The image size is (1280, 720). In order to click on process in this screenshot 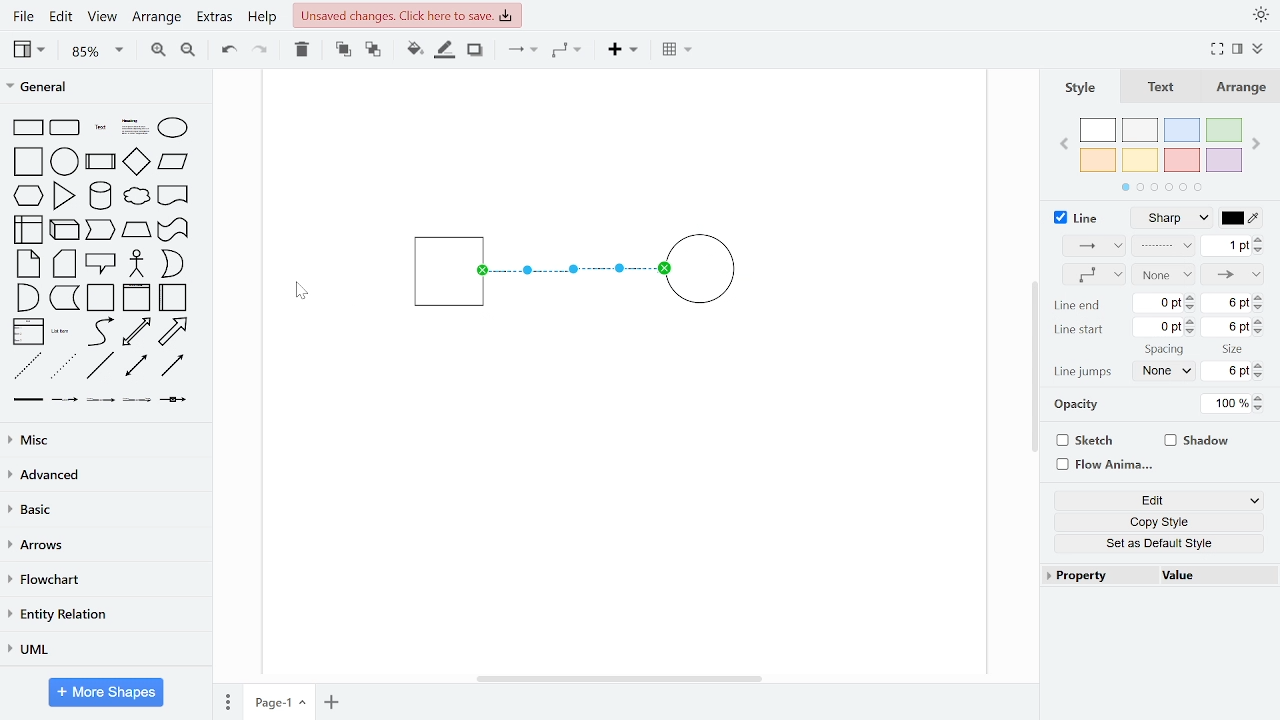, I will do `click(101, 163)`.